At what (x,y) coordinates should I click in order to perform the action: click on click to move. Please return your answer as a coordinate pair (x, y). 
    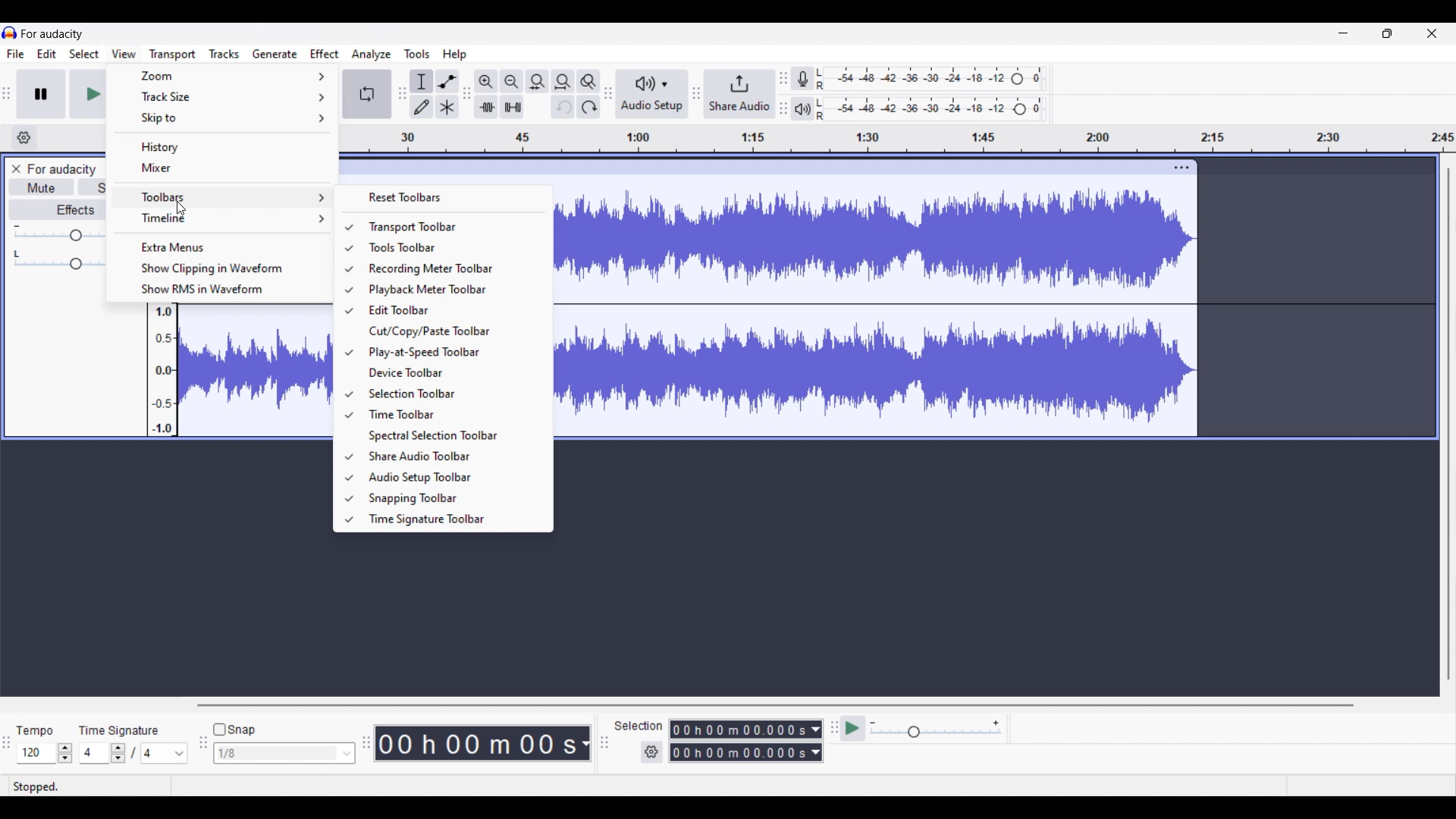
    Looking at the image, I should click on (754, 166).